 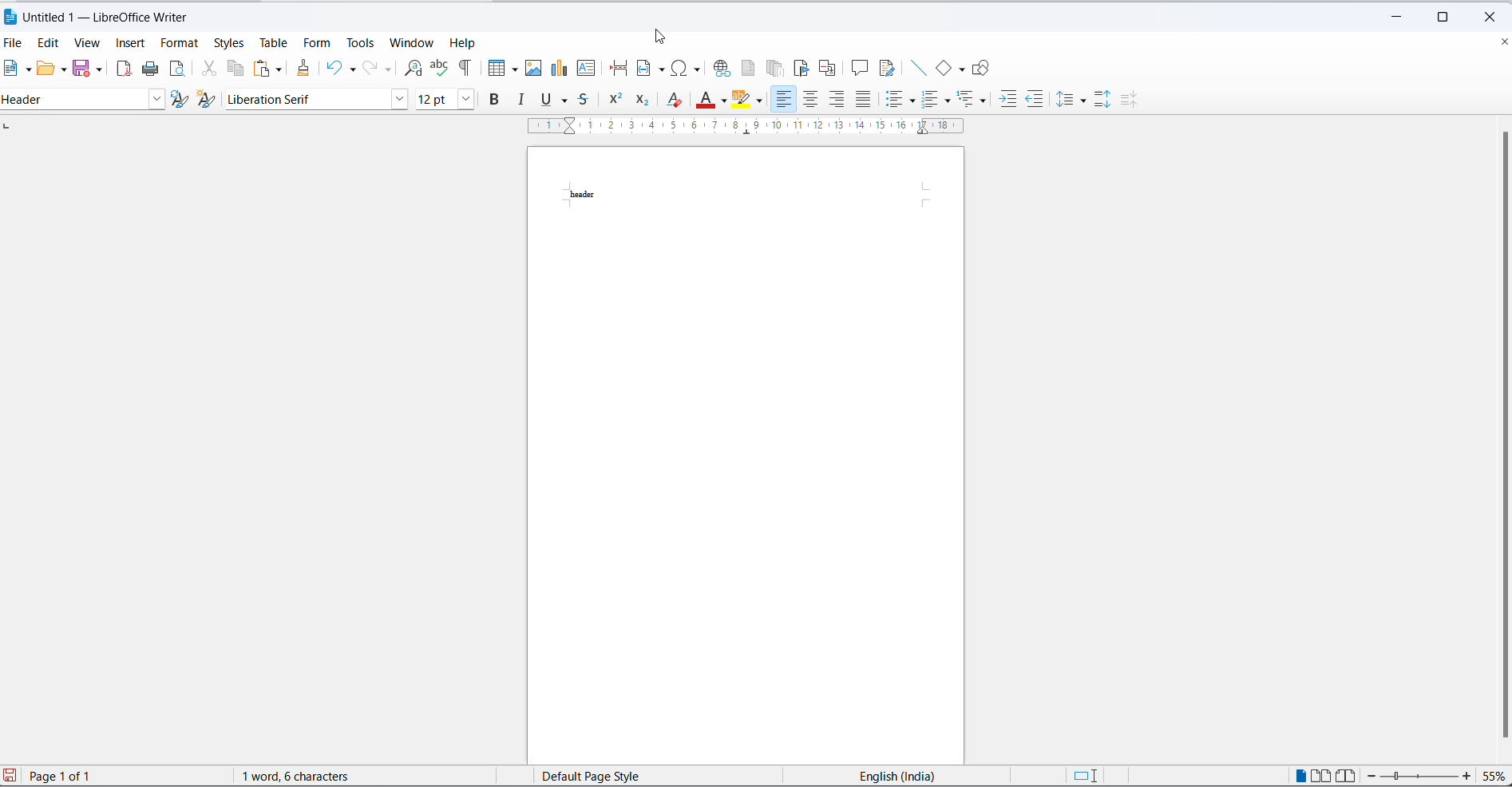 What do you see at coordinates (703, 99) in the screenshot?
I see `font color` at bounding box center [703, 99].